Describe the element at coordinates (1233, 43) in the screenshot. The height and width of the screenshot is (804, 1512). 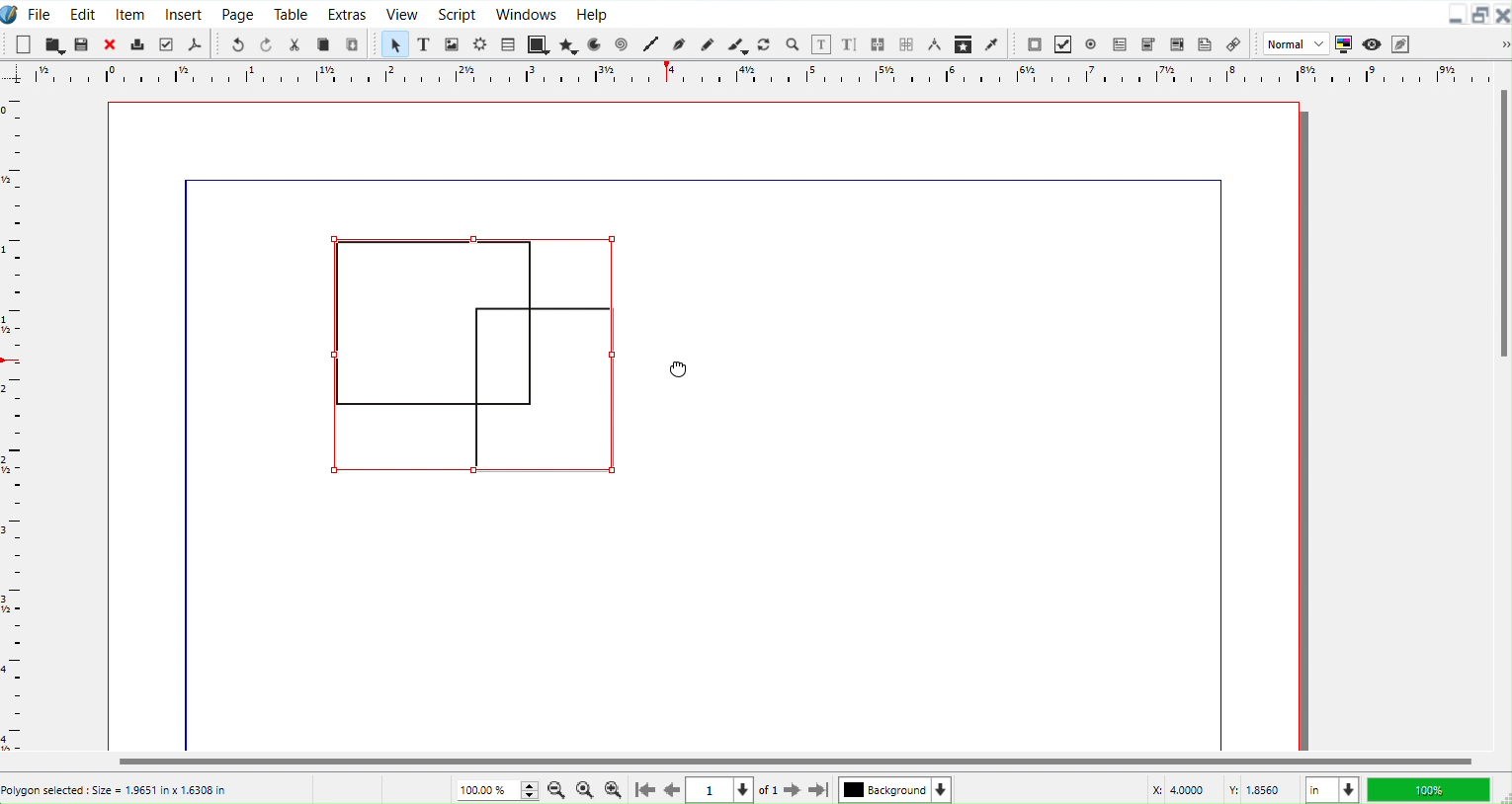
I see `Link Annotation` at that location.